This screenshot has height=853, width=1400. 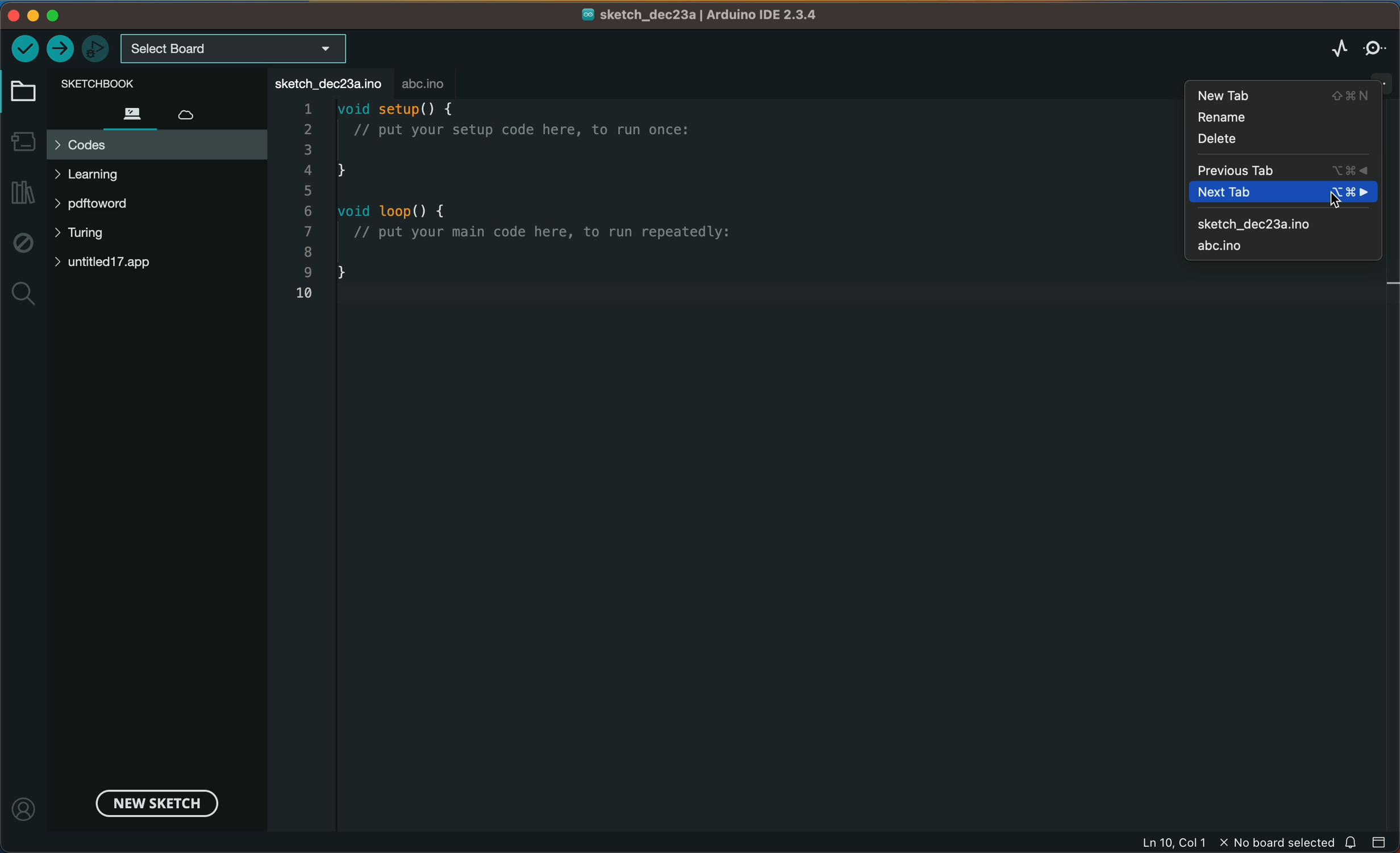 What do you see at coordinates (1378, 842) in the screenshot?
I see `close slide bar` at bounding box center [1378, 842].